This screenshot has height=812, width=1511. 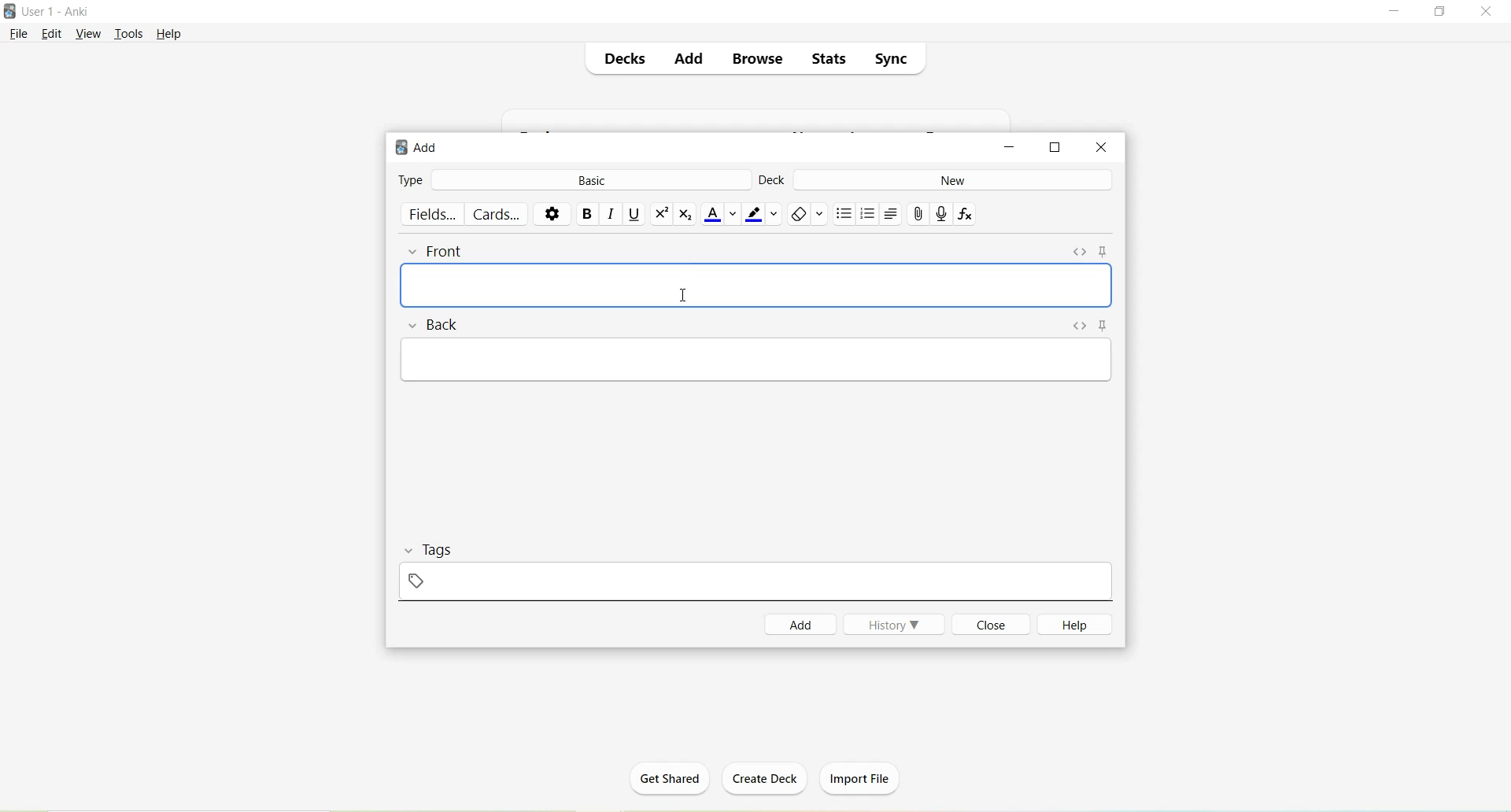 I want to click on View, so click(x=89, y=35).